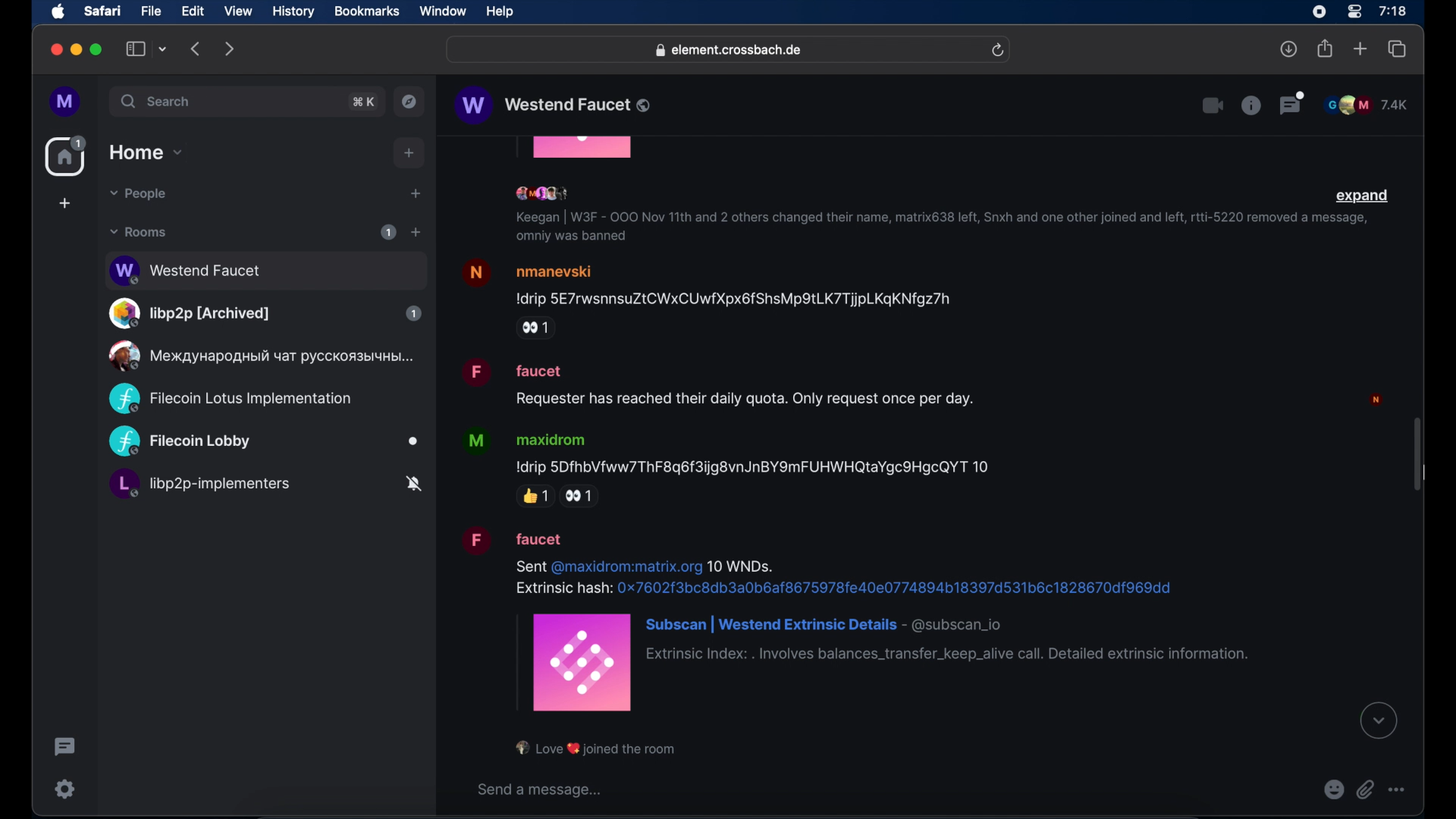 The image size is (1456, 819). I want to click on backward, so click(196, 49).